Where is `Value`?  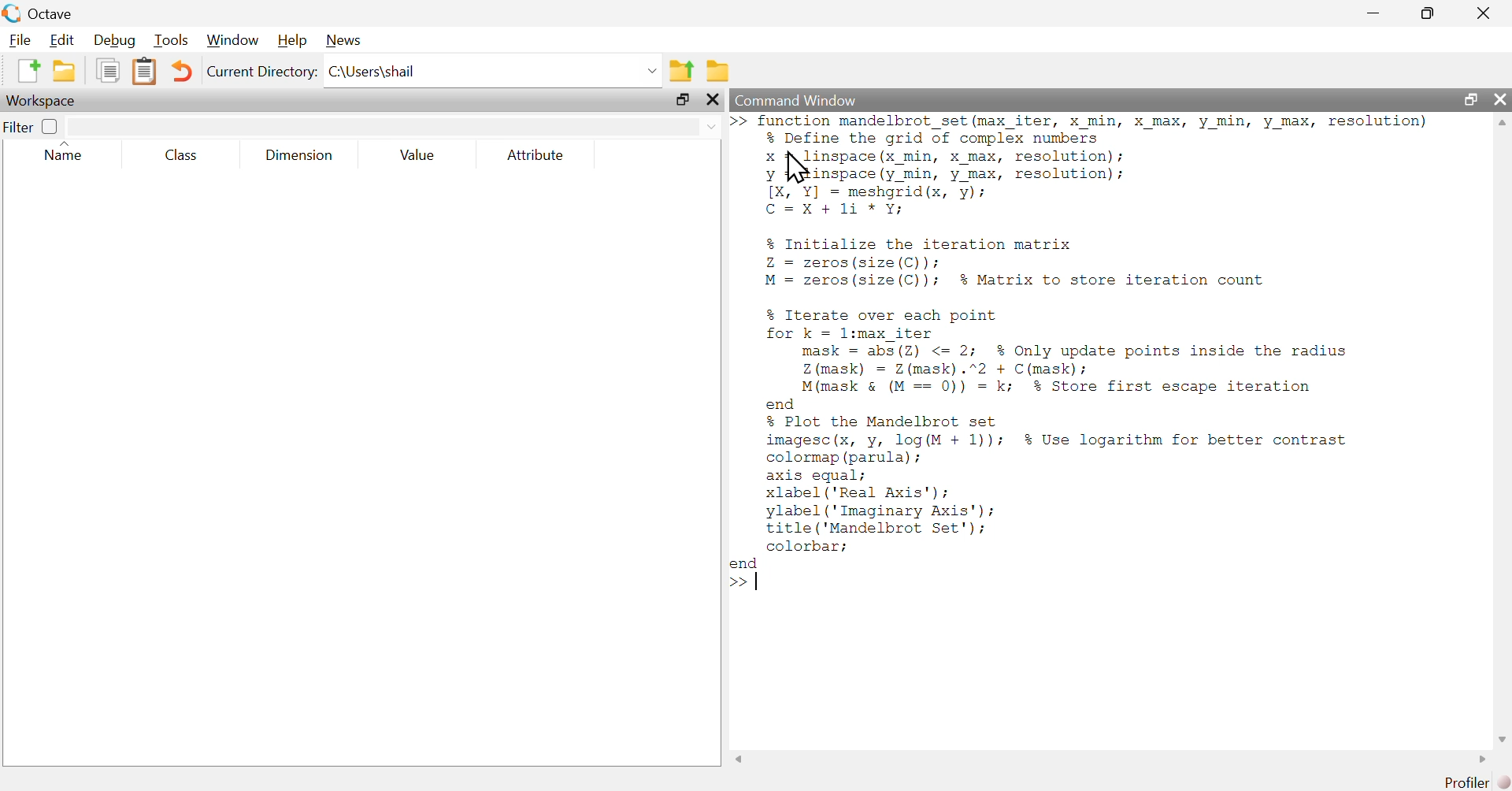
Value is located at coordinates (419, 157).